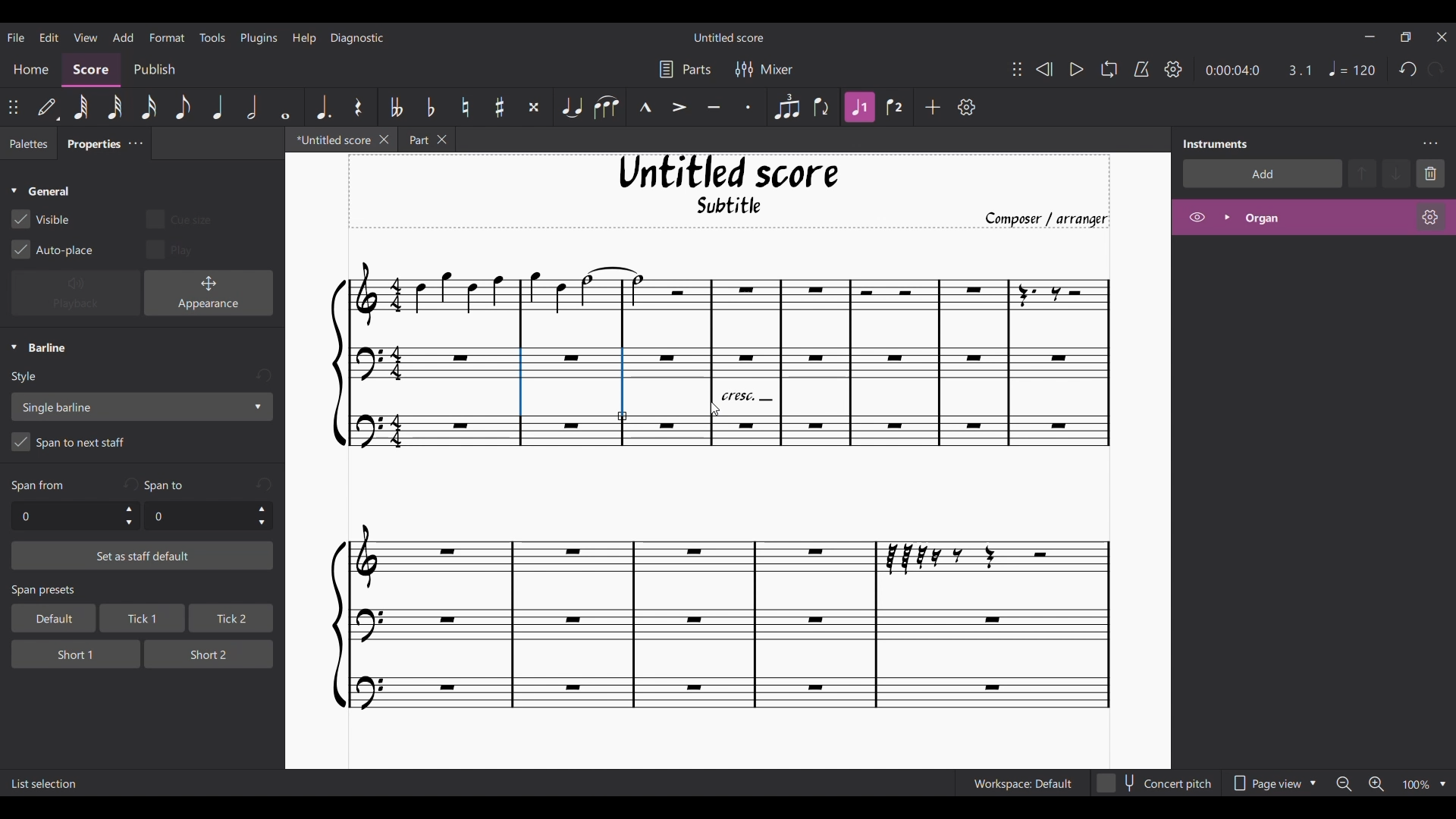 The image size is (1456, 819). I want to click on Set as staff default, so click(143, 556).